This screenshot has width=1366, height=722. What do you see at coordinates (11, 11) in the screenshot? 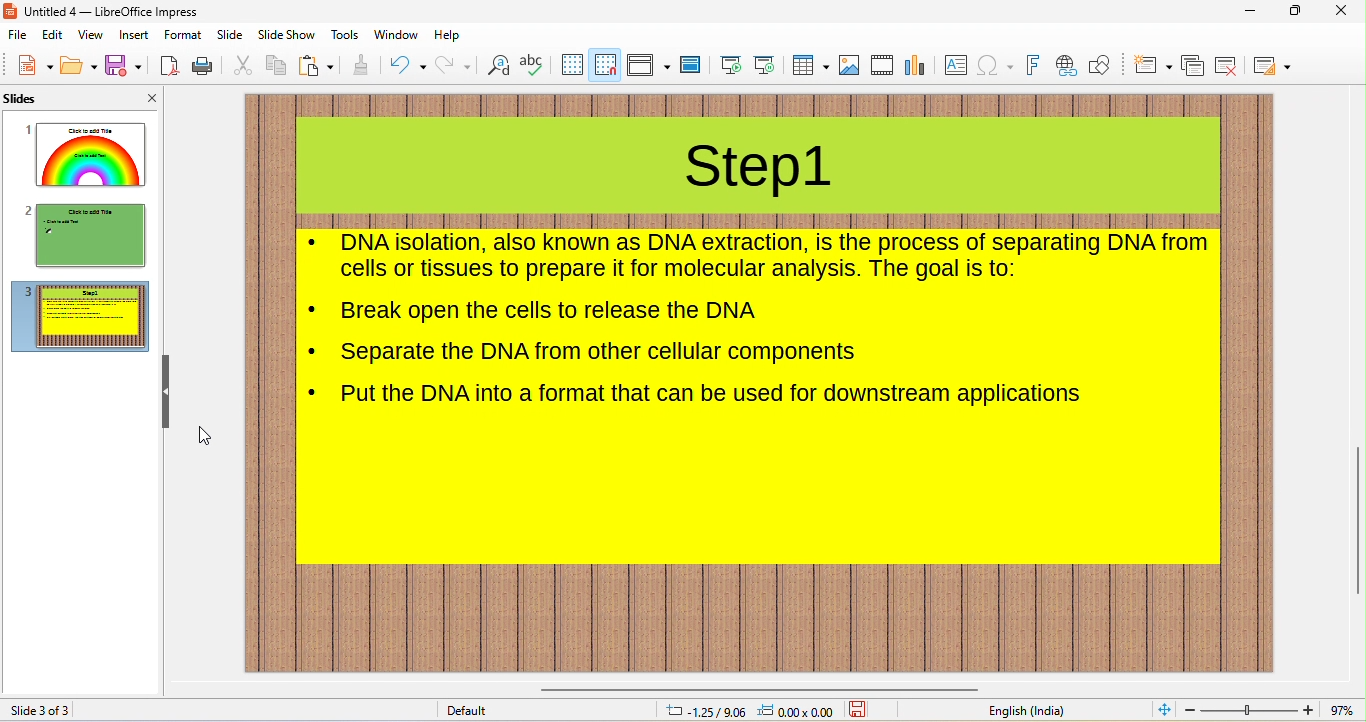
I see `logo` at bounding box center [11, 11].